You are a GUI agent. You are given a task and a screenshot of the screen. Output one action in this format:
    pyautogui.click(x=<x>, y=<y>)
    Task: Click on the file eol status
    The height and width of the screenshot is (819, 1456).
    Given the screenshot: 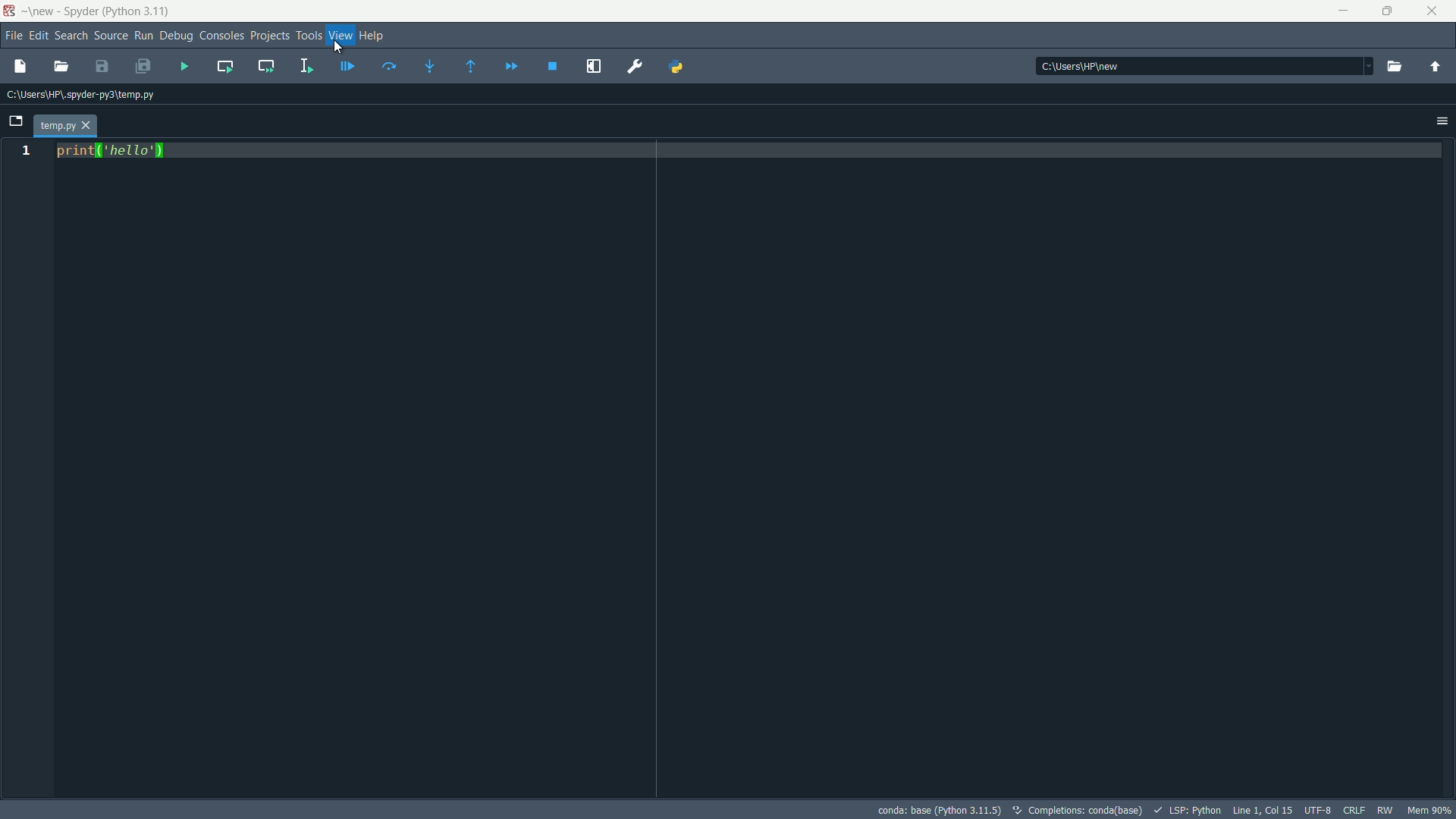 What is the action you would take?
    pyautogui.click(x=1354, y=808)
    